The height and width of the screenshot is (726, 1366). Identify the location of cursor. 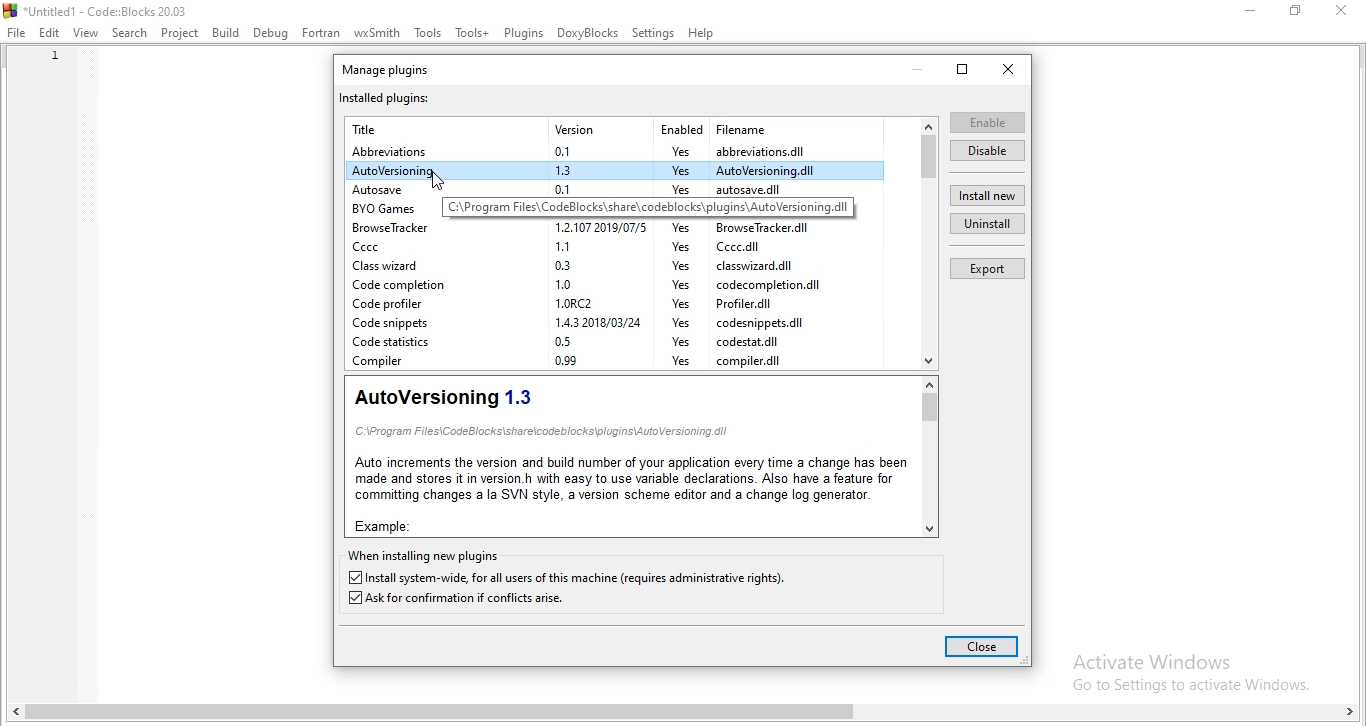
(440, 181).